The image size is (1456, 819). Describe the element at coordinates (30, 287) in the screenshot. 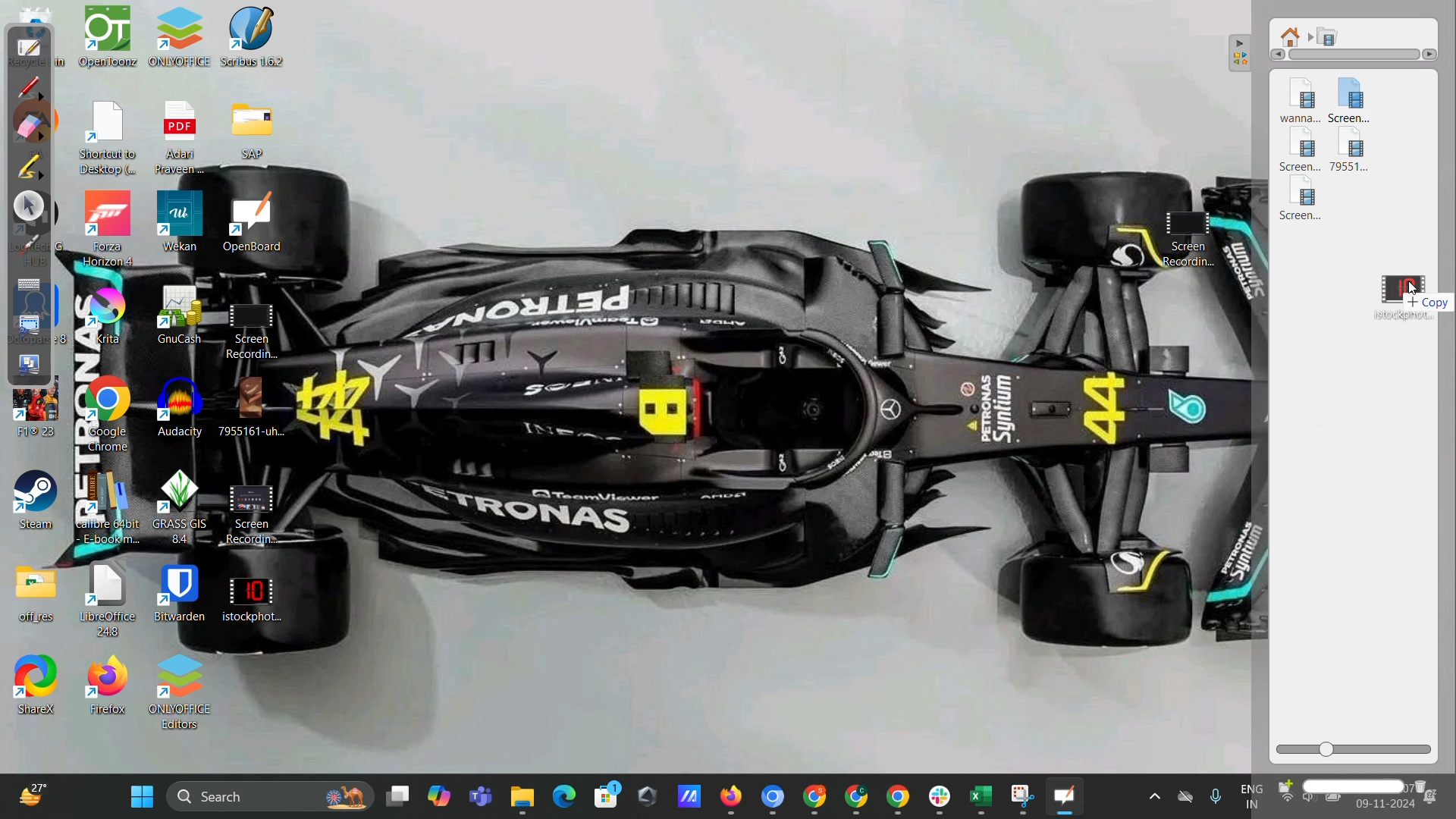

I see `display virtual keyboard` at that location.